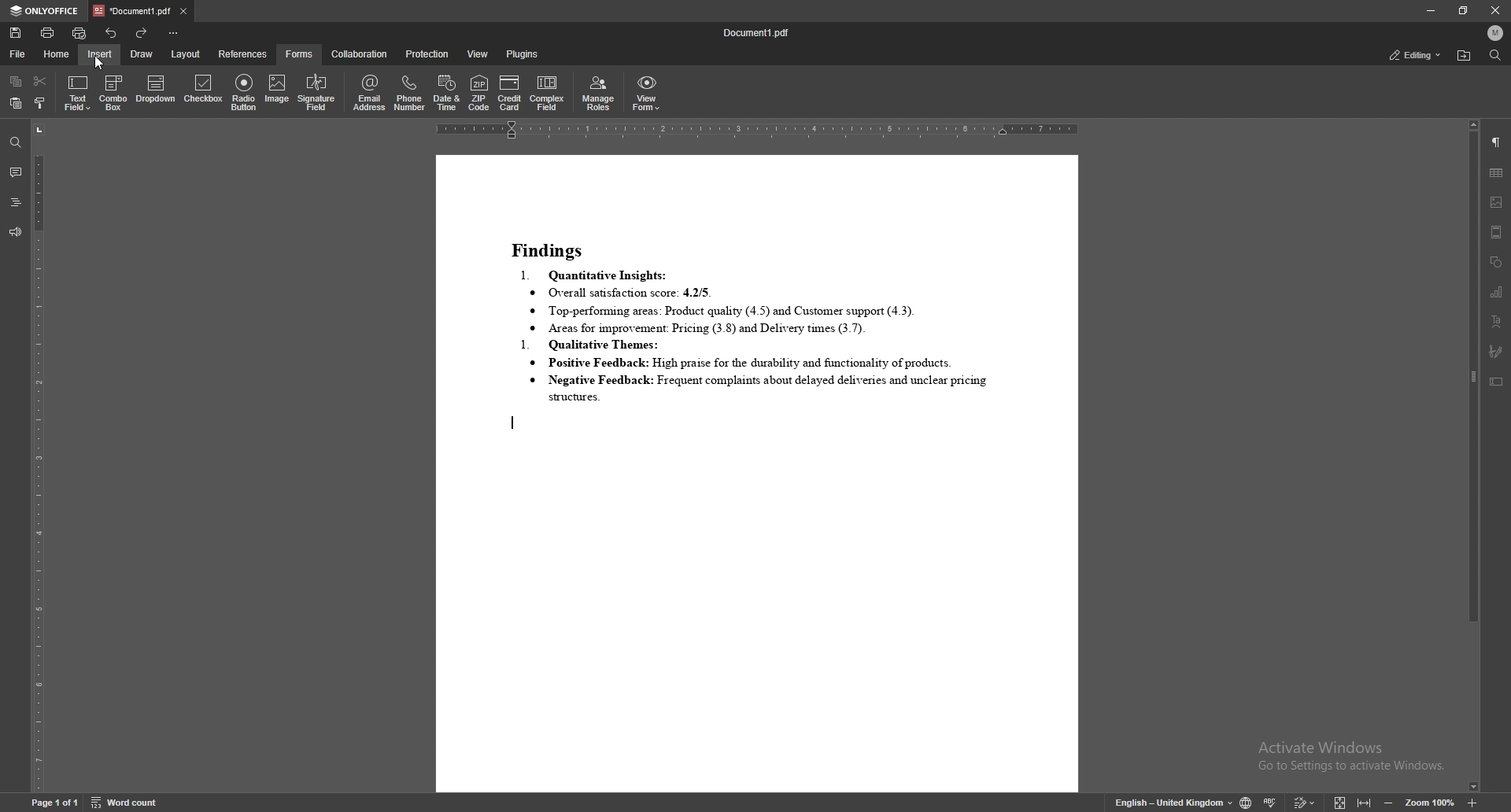 Image resolution: width=1511 pixels, height=812 pixels. Describe the element at coordinates (80, 32) in the screenshot. I see `quick print` at that location.